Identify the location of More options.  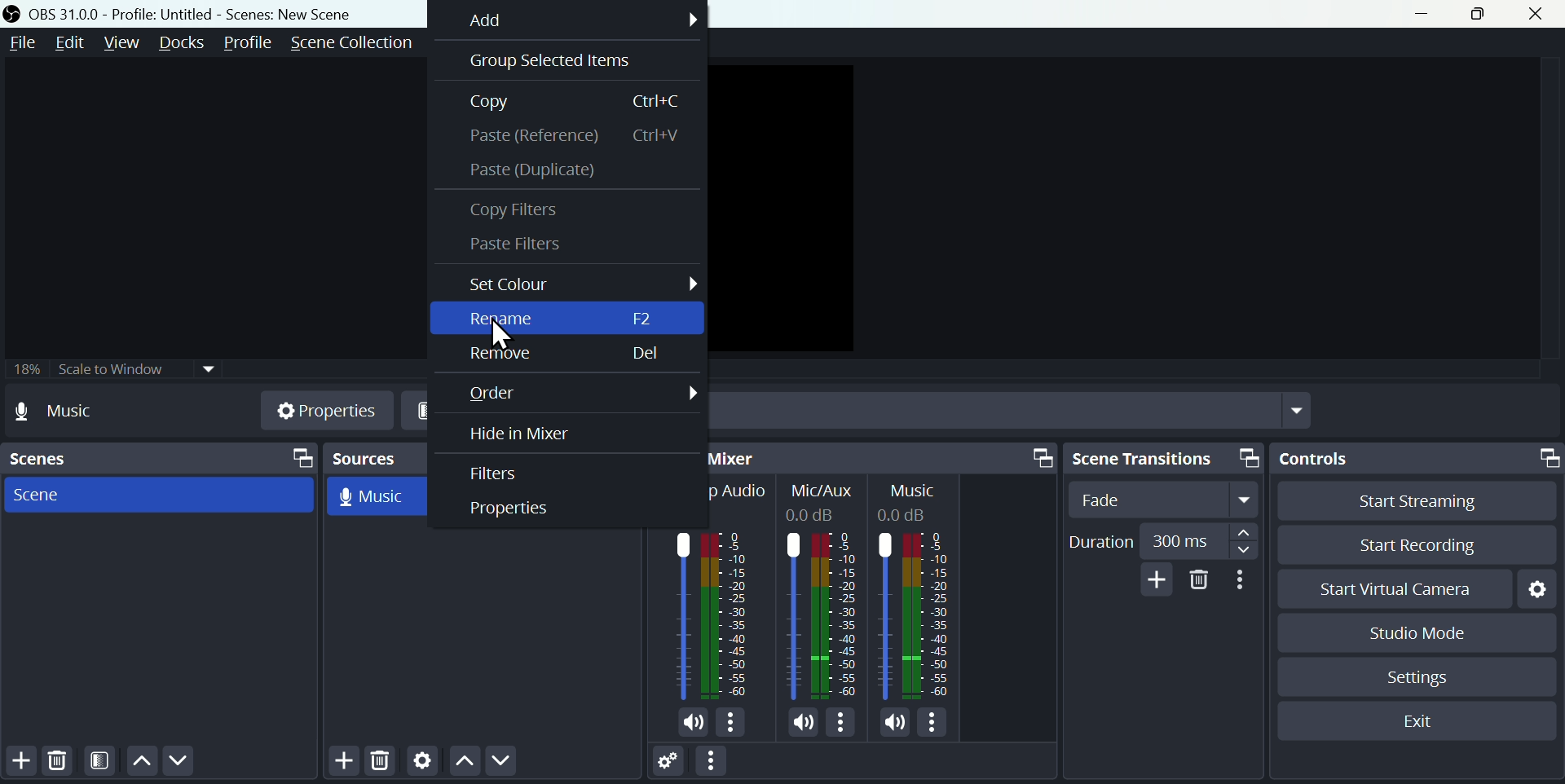
(1243, 580).